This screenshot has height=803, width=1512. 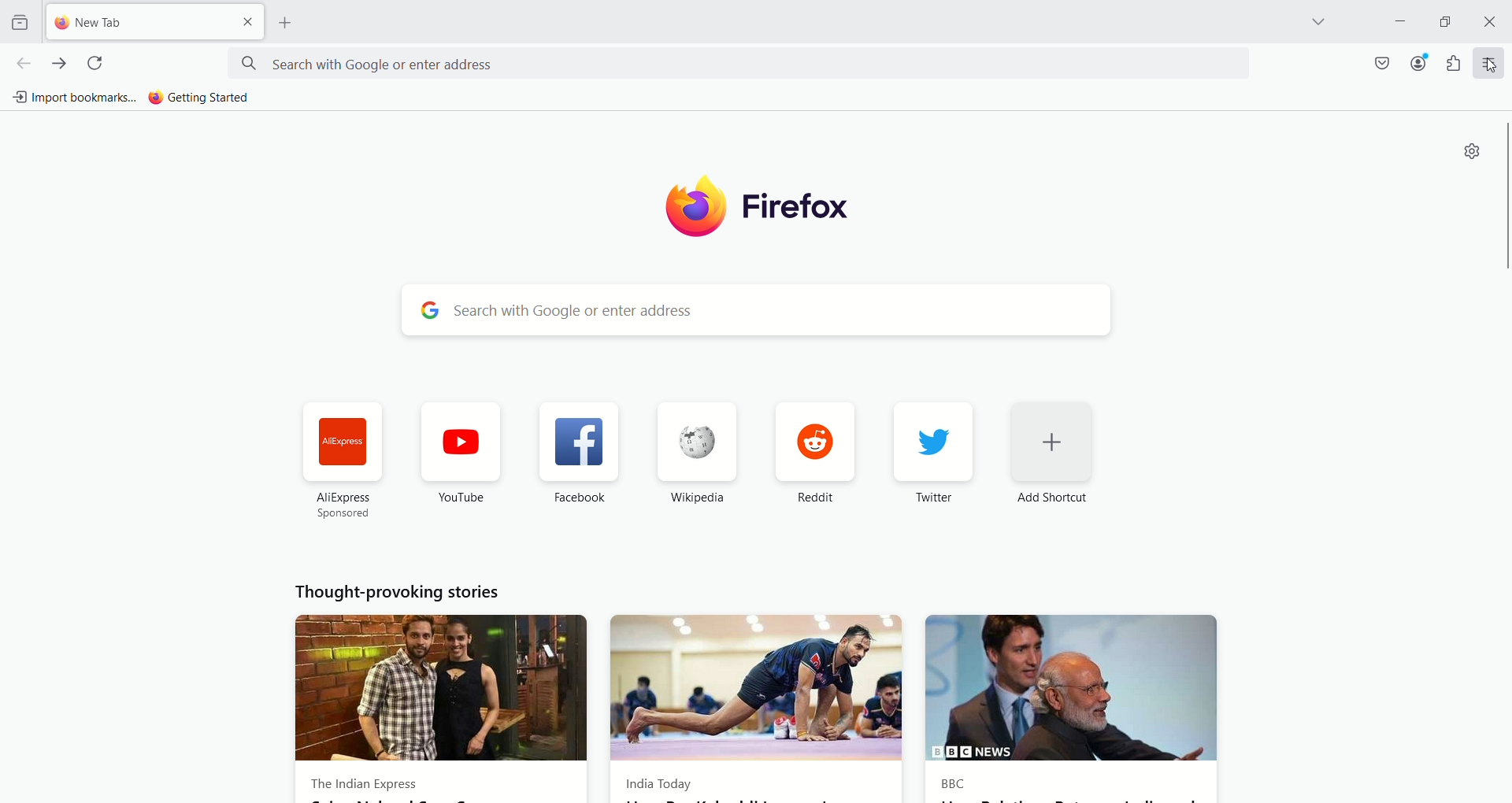 What do you see at coordinates (1321, 23) in the screenshot?
I see `list all tabs` at bounding box center [1321, 23].